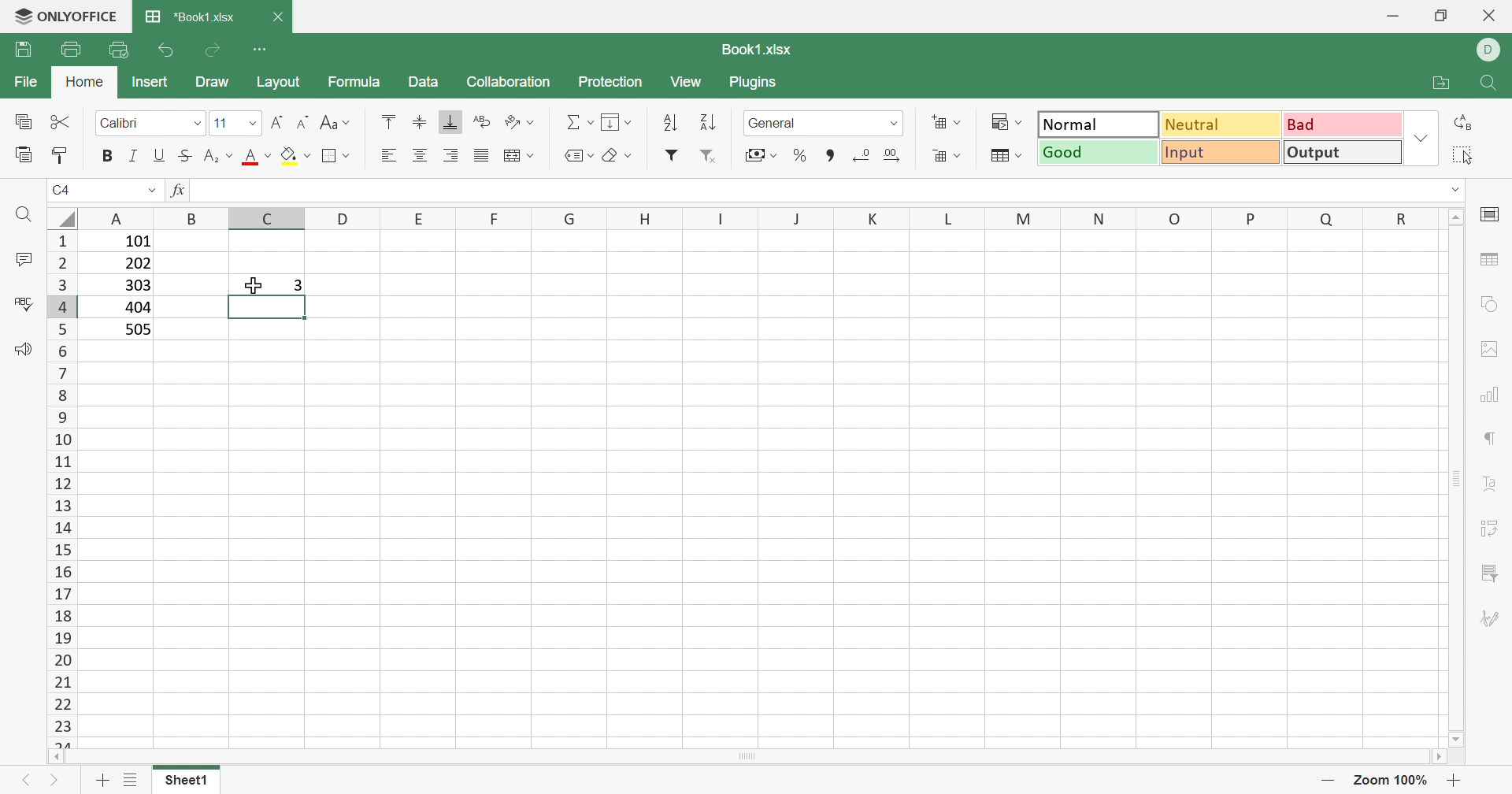  Describe the element at coordinates (1491, 214) in the screenshot. I see `cell settings` at that location.